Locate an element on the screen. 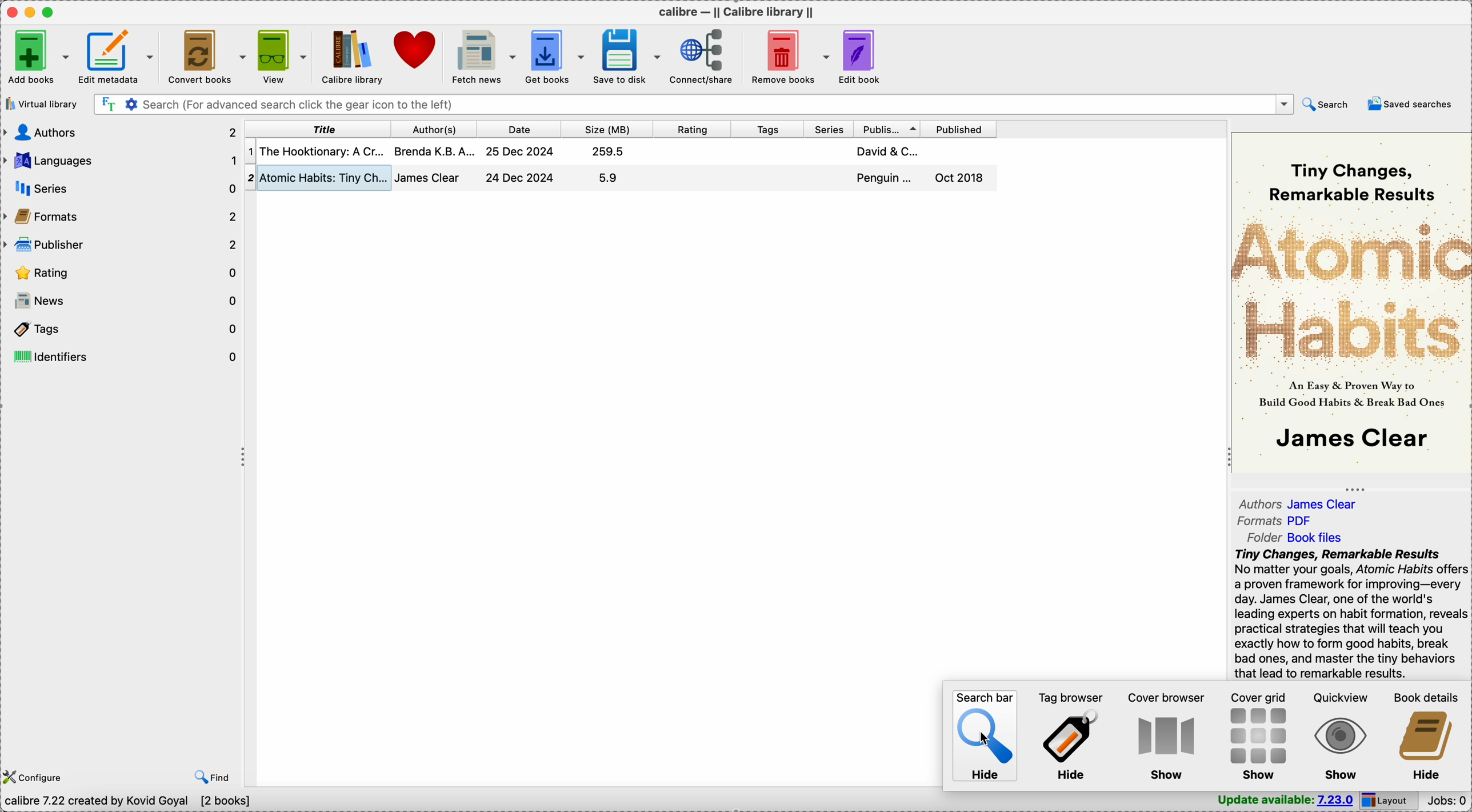 Image resolution: width=1472 pixels, height=812 pixels. david & C... is located at coordinates (888, 151).